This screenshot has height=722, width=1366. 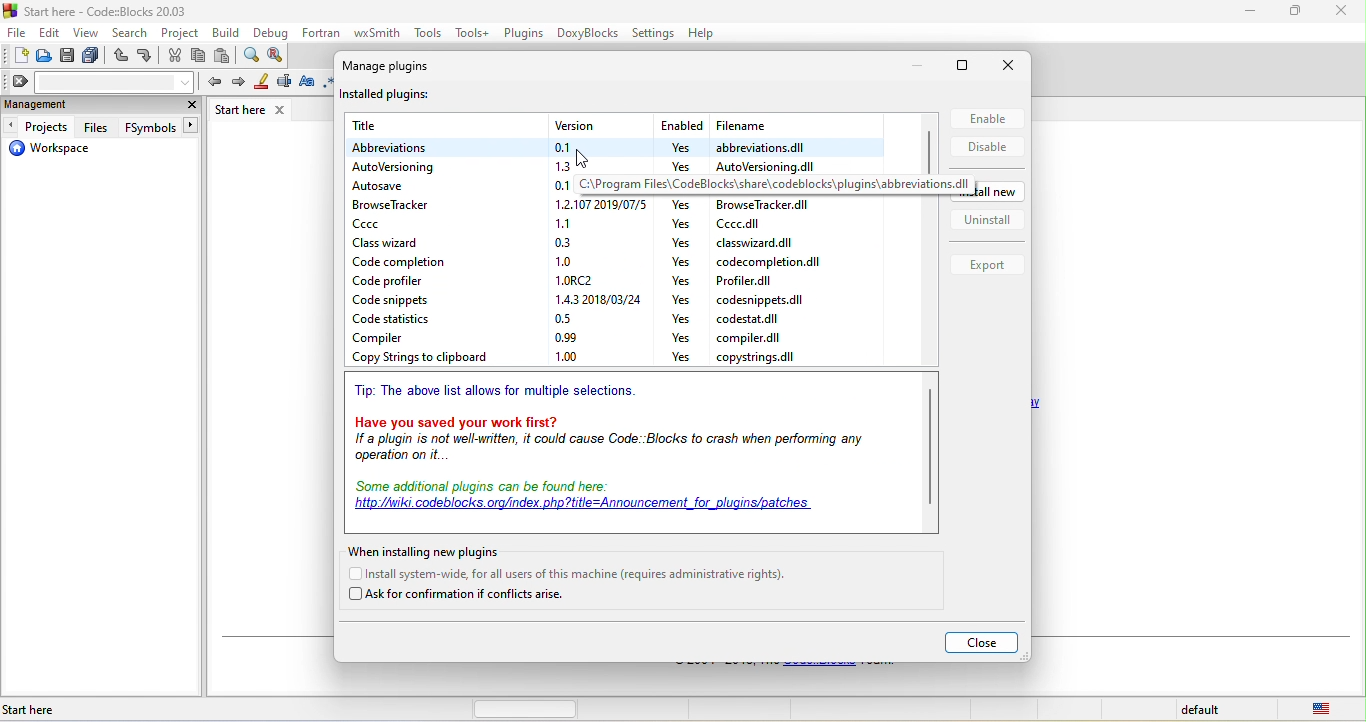 What do you see at coordinates (391, 300) in the screenshot?
I see `code snippets` at bounding box center [391, 300].